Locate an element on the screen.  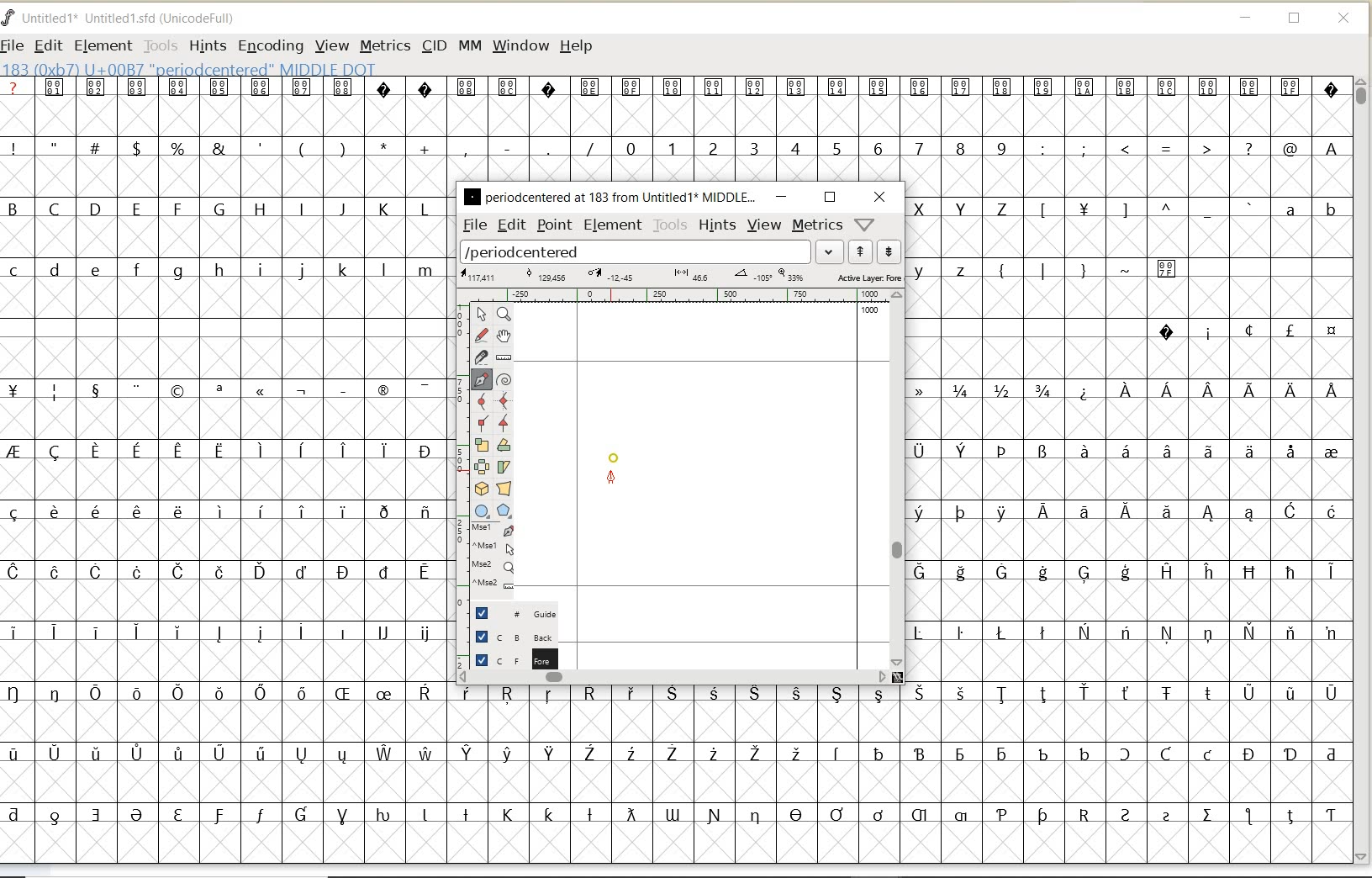
minimize is located at coordinates (781, 197).